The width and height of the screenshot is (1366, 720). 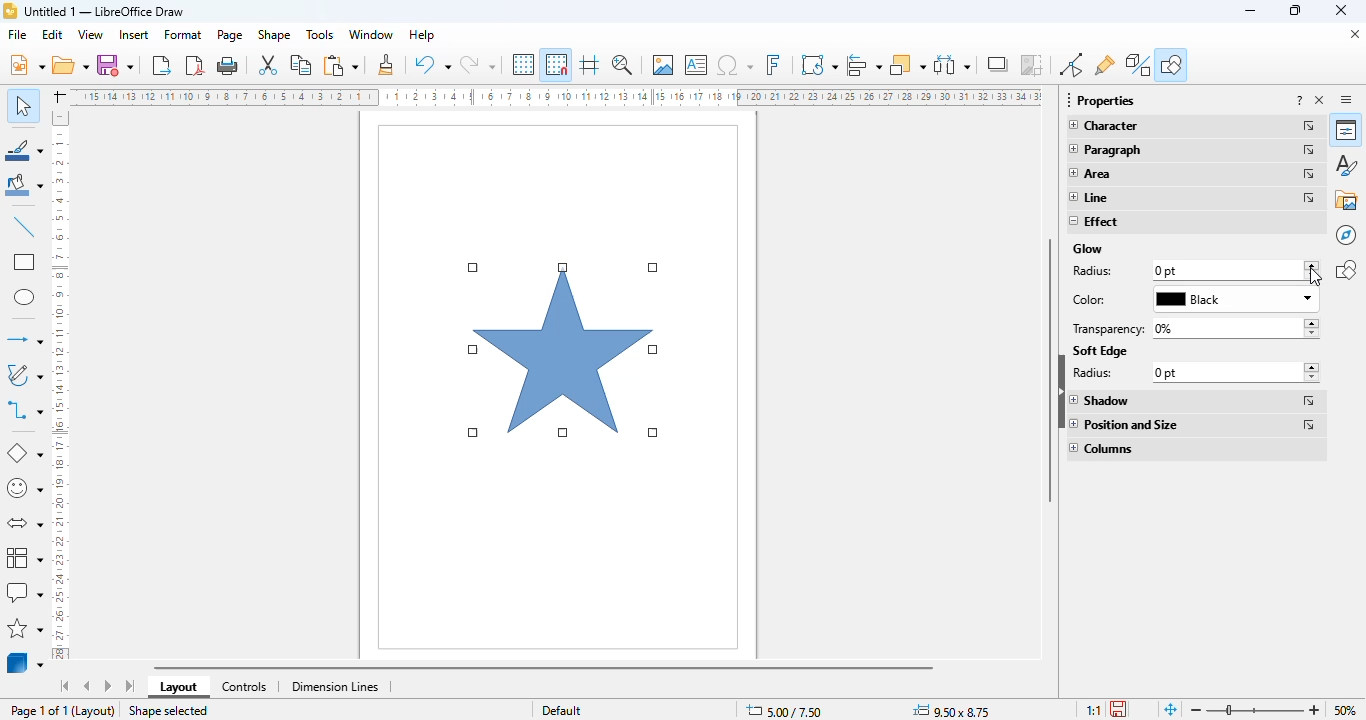 I want to click on navigator, so click(x=1347, y=235).